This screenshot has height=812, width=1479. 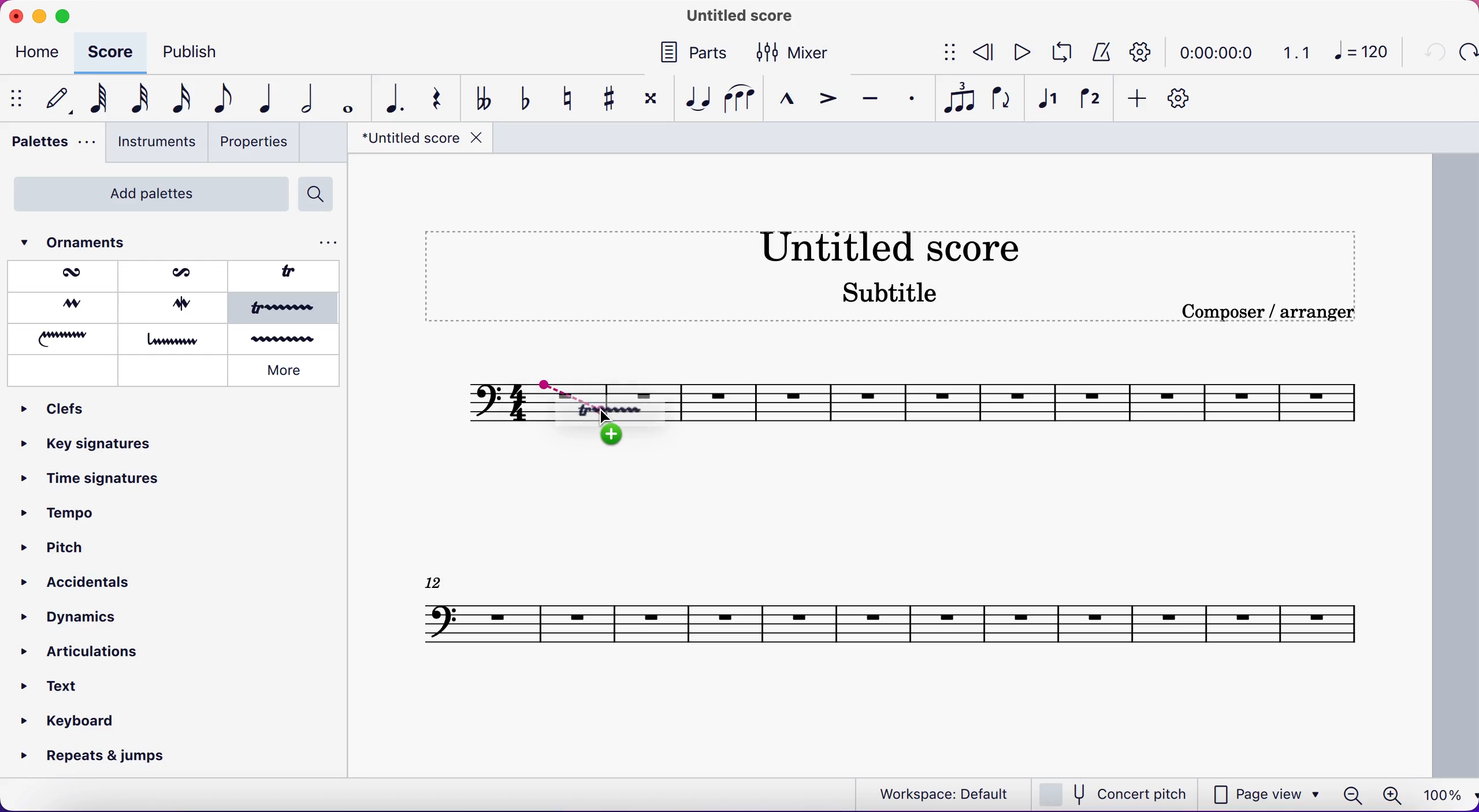 What do you see at coordinates (286, 309) in the screenshot?
I see `extended trill` at bounding box center [286, 309].